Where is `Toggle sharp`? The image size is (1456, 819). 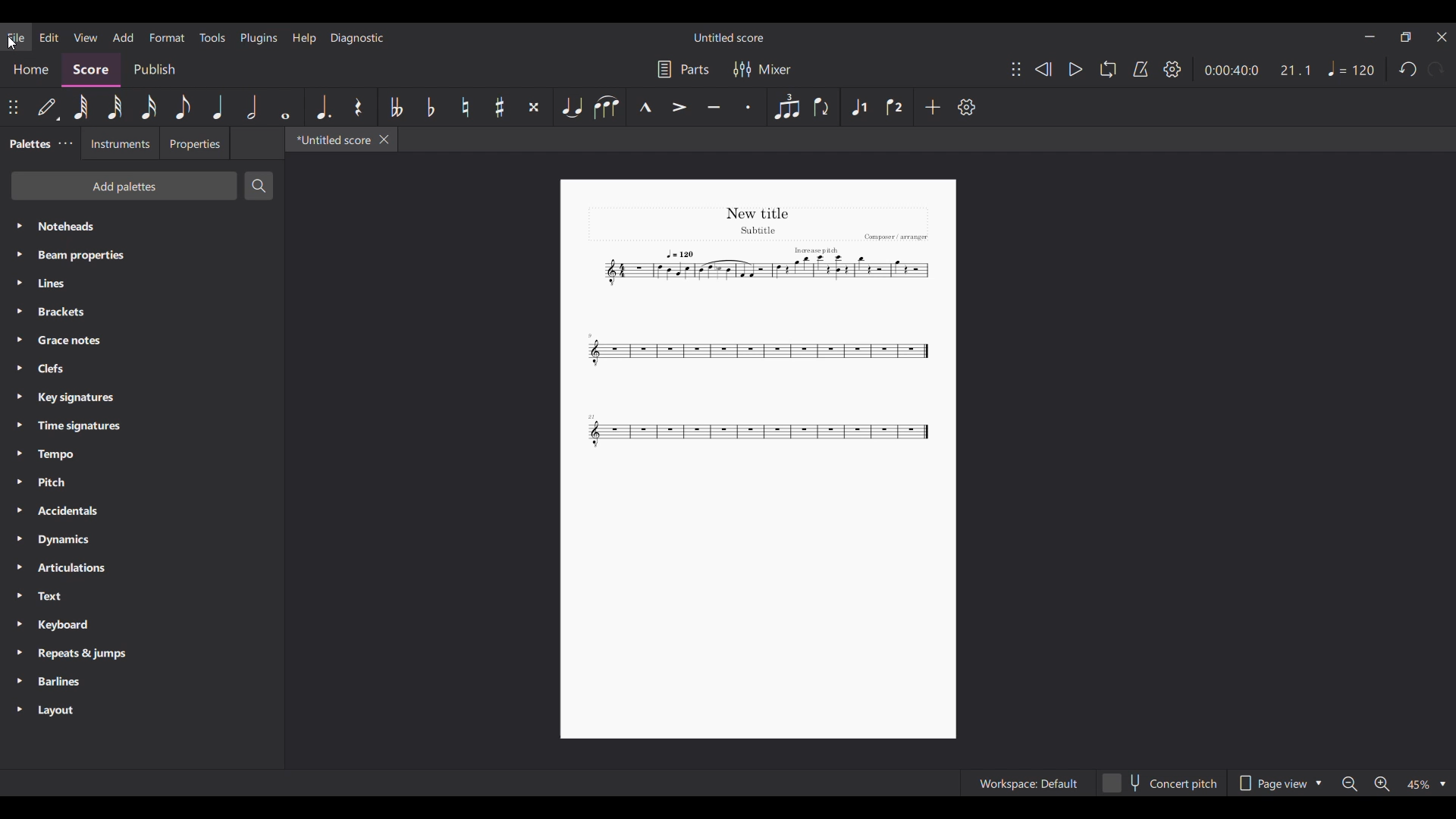 Toggle sharp is located at coordinates (500, 107).